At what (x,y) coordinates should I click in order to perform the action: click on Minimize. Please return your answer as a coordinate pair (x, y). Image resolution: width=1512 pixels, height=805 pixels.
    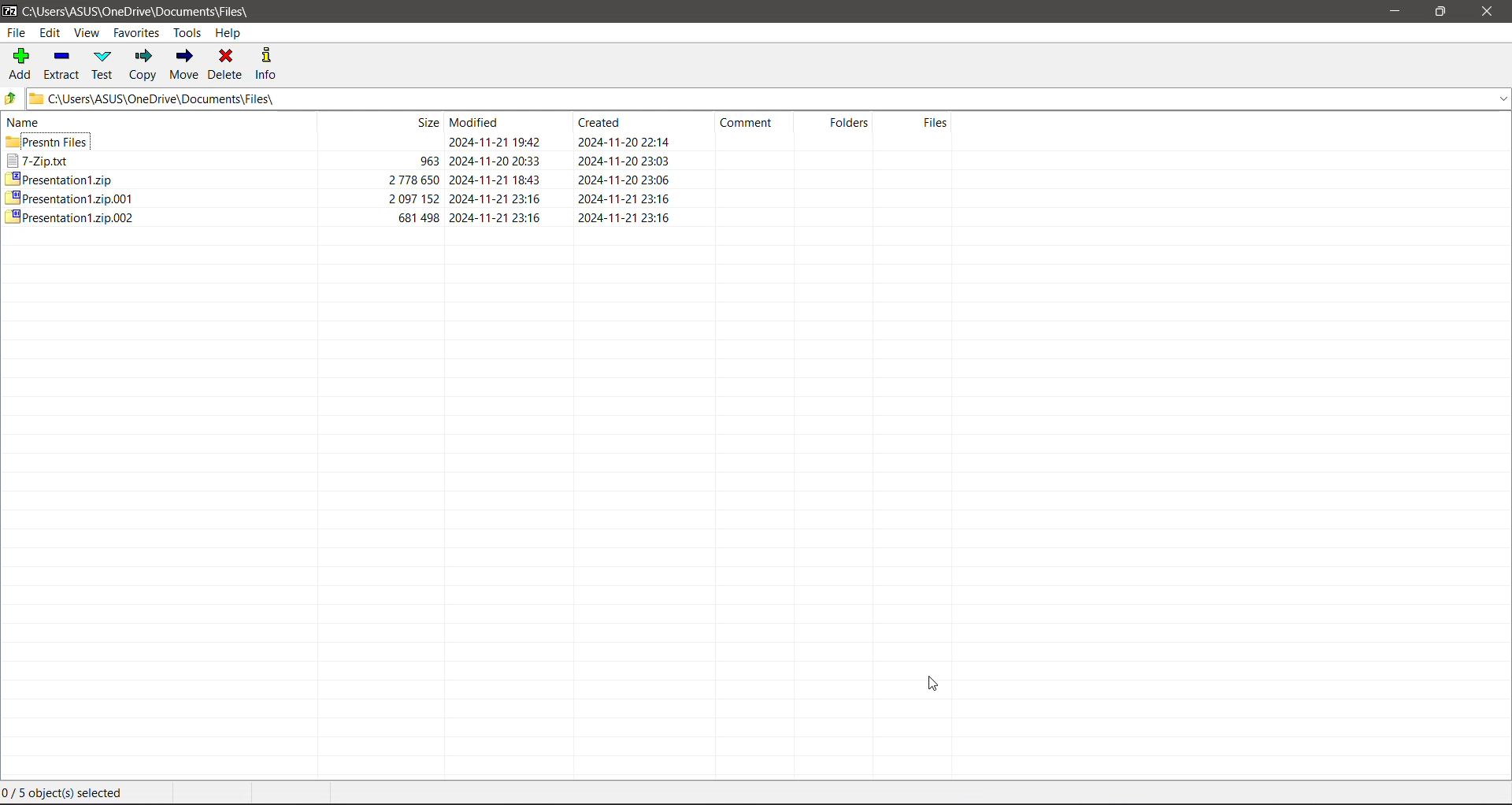
    Looking at the image, I should click on (1392, 9).